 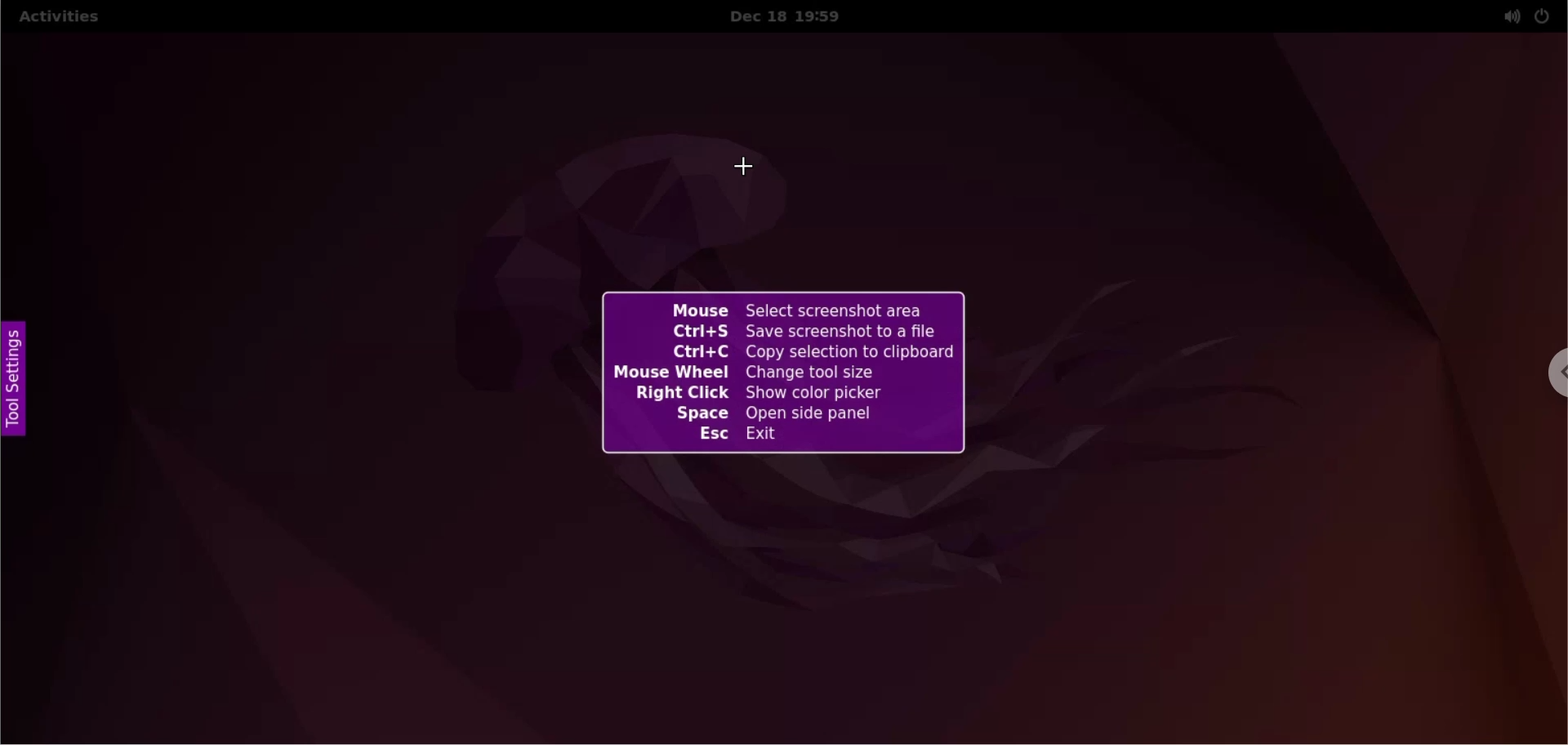 I want to click on tool settings, so click(x=14, y=383).